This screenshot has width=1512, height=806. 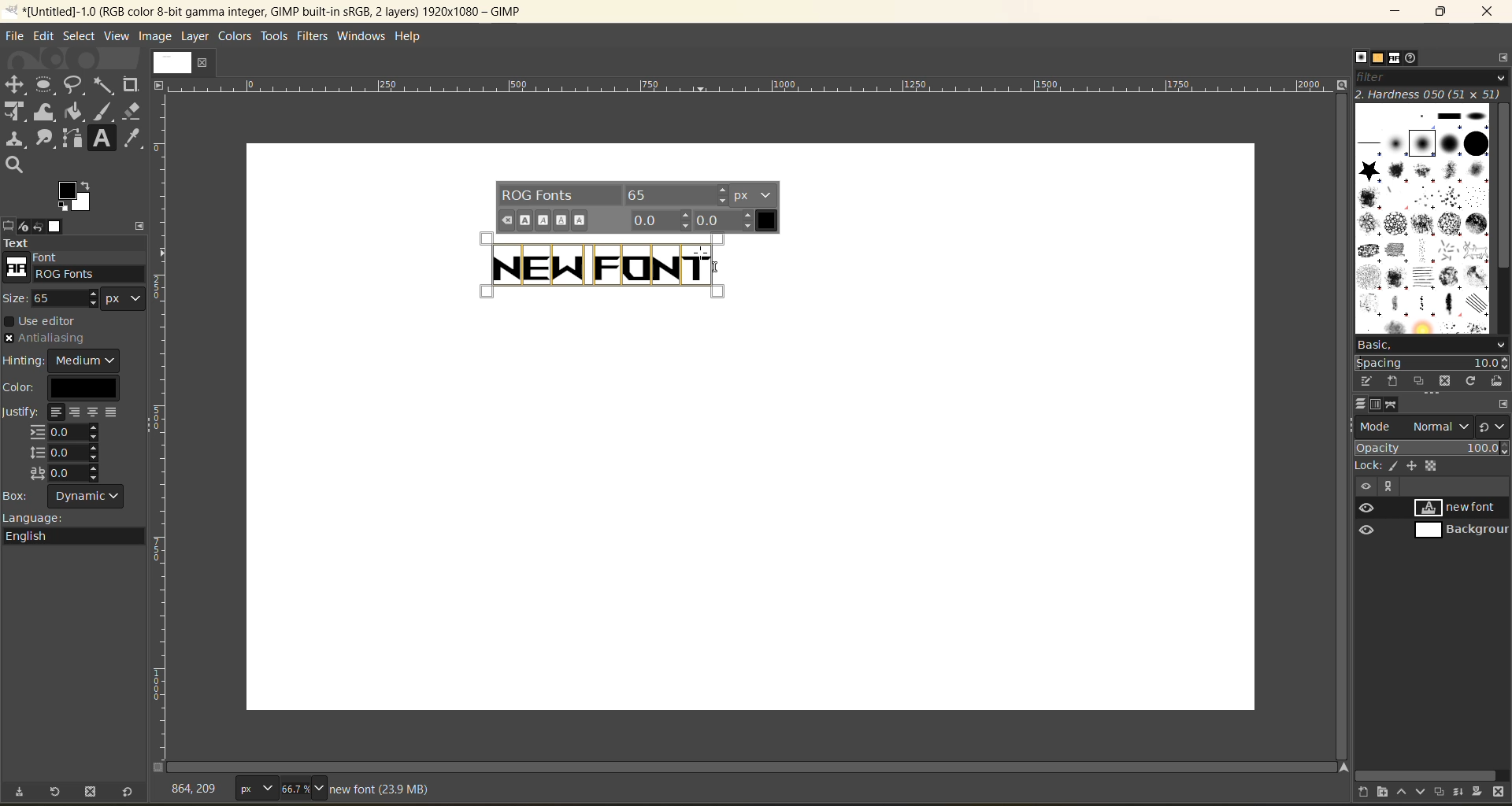 What do you see at coordinates (280, 10) in the screenshot?
I see `file name and app name` at bounding box center [280, 10].